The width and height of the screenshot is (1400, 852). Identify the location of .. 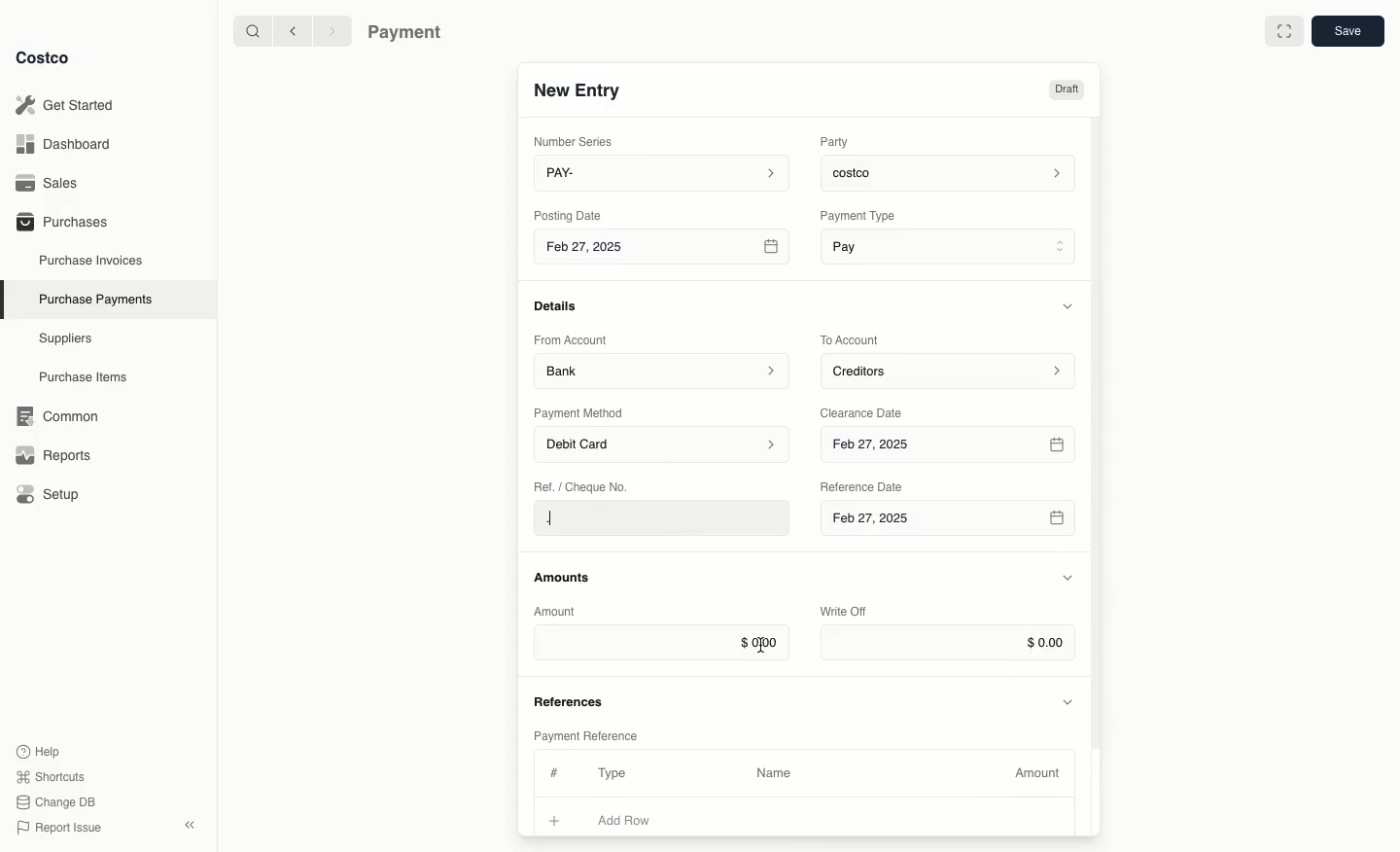
(606, 518).